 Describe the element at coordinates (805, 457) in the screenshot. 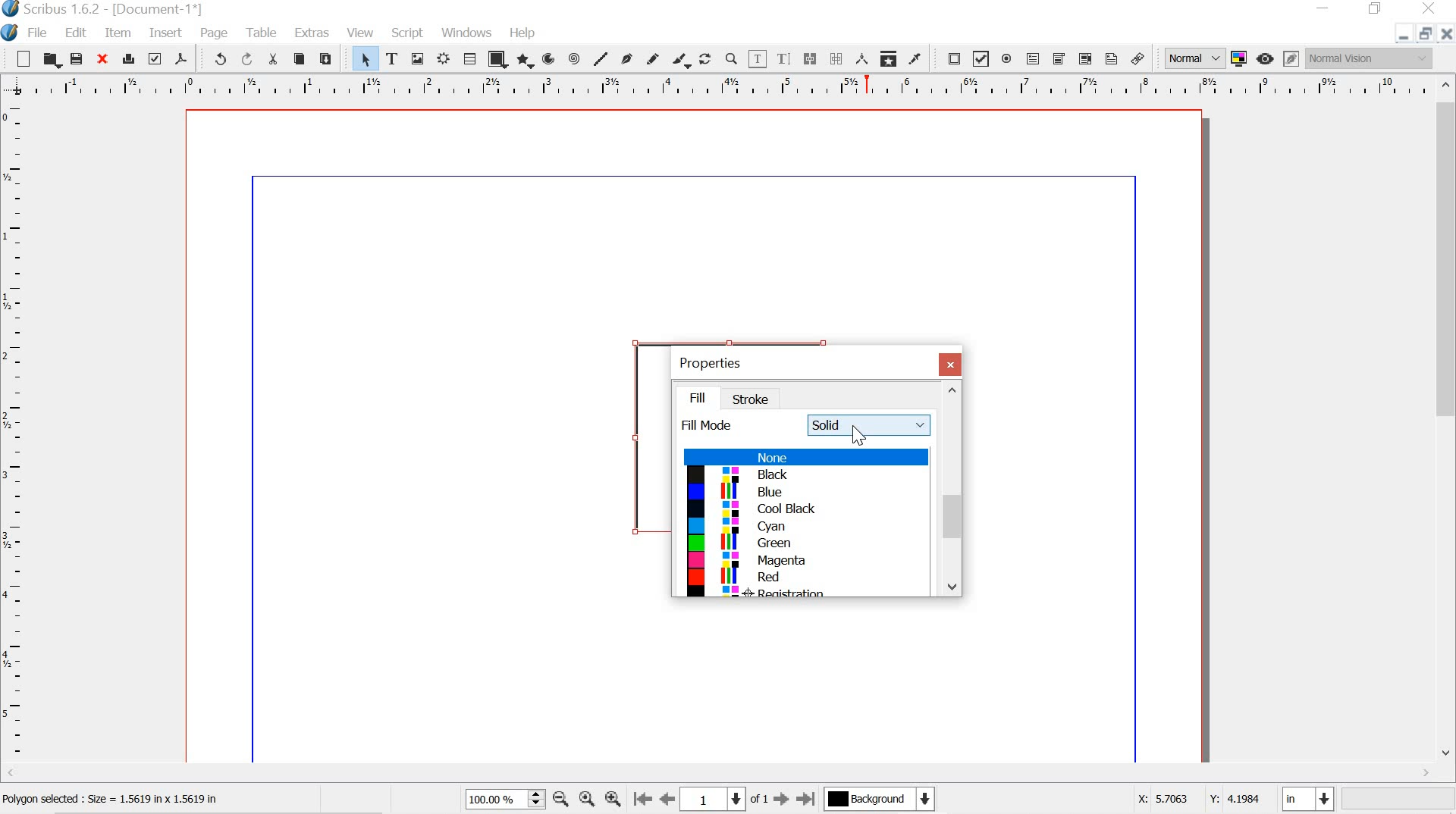

I see `none` at that location.